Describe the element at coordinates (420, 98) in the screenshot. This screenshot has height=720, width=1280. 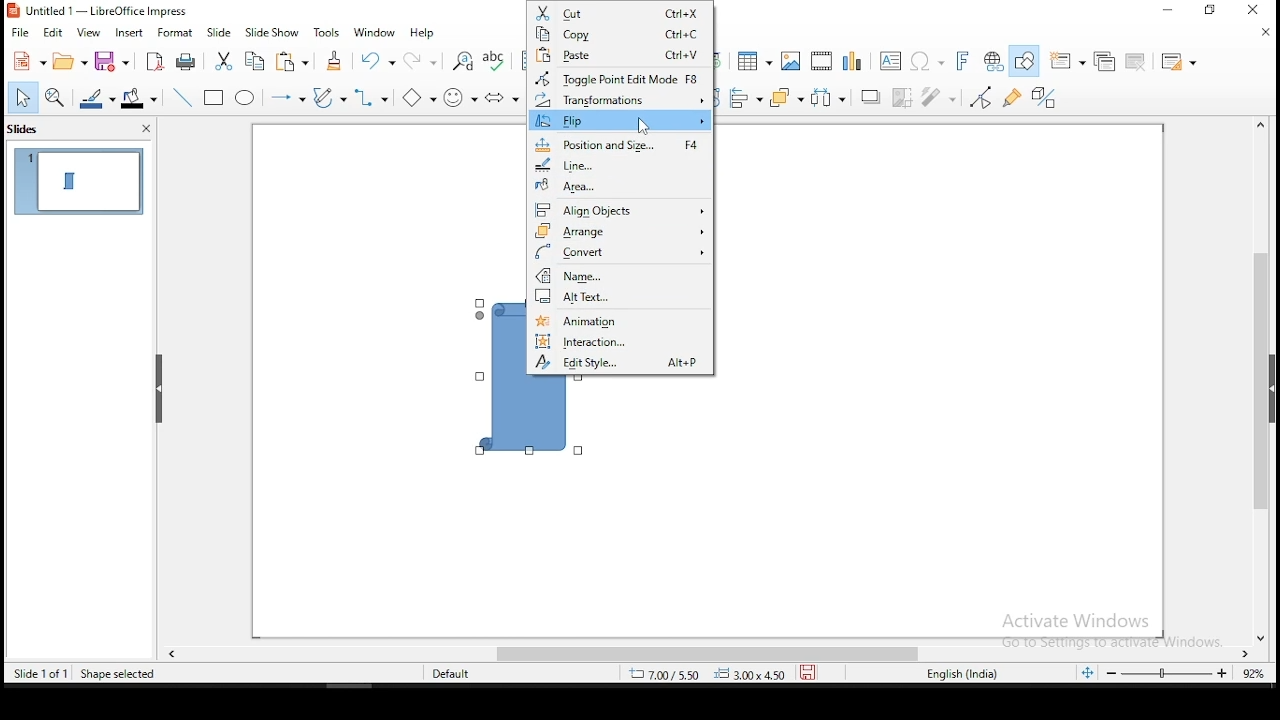
I see `basic shapes` at that location.